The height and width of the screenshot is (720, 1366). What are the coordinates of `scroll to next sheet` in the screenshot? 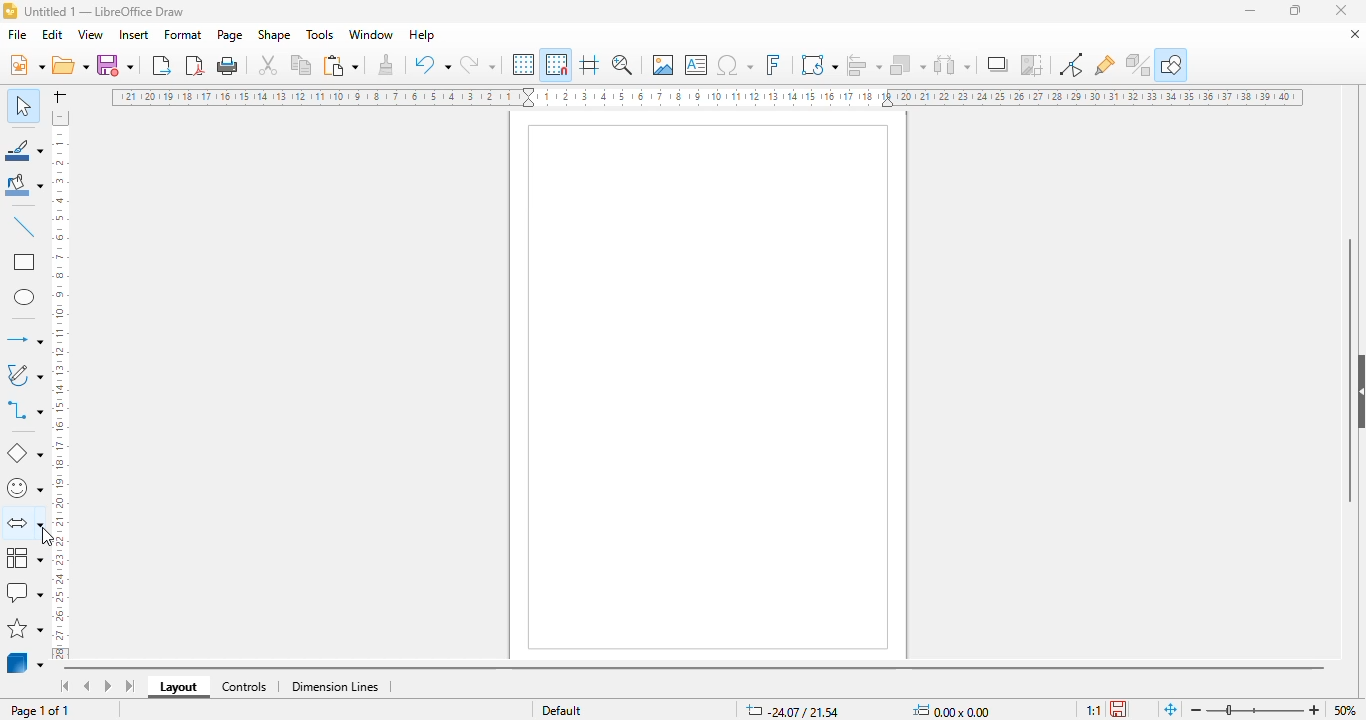 It's located at (108, 685).